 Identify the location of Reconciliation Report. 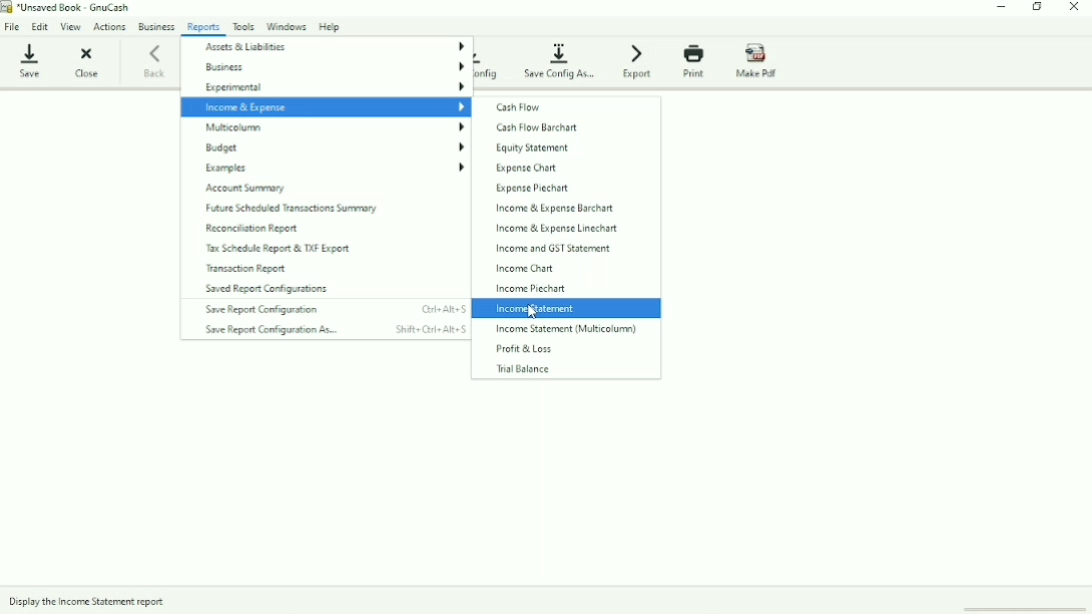
(252, 228).